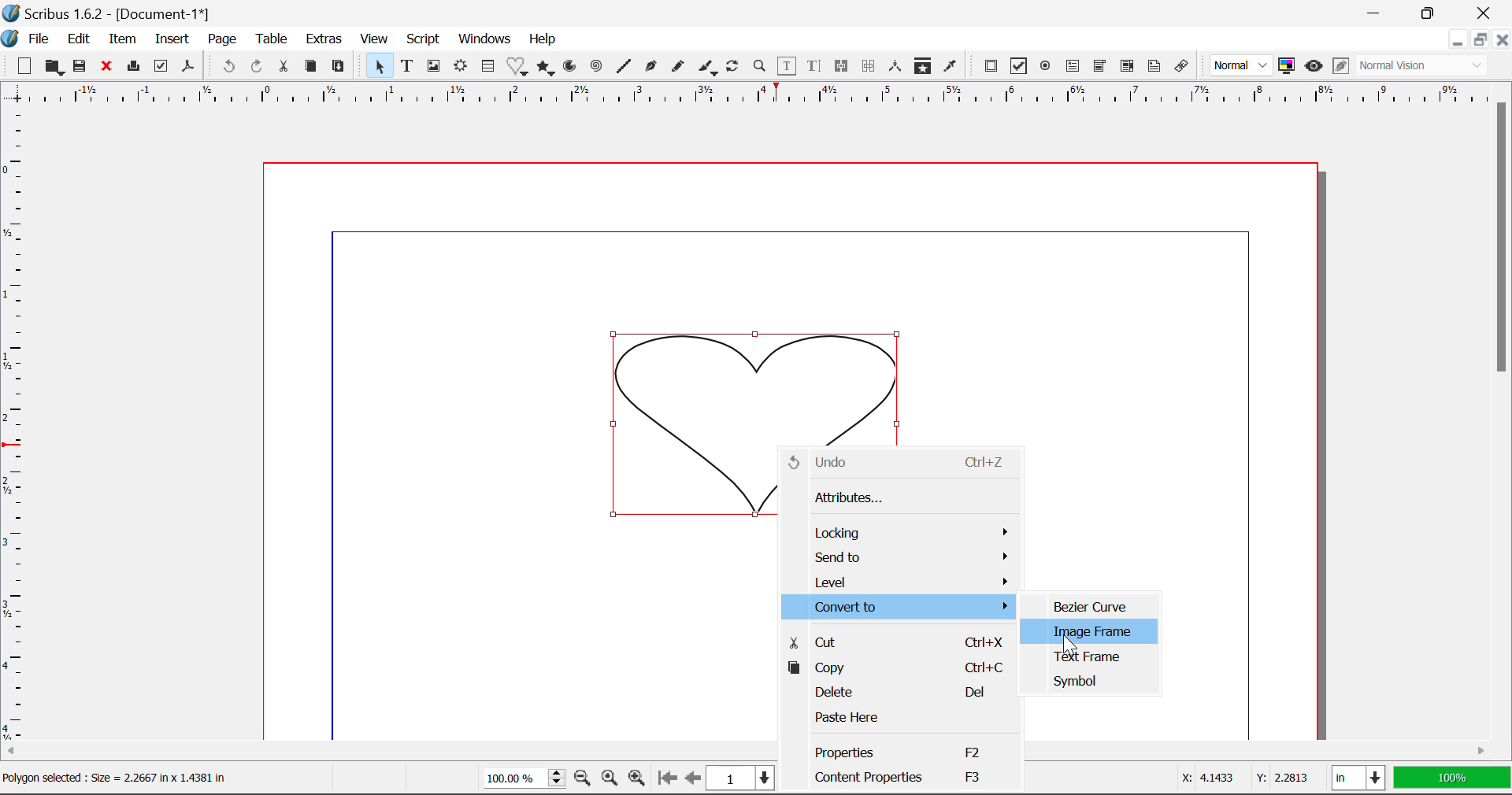 The height and width of the screenshot is (795, 1512). What do you see at coordinates (736, 68) in the screenshot?
I see `Refresh` at bounding box center [736, 68].